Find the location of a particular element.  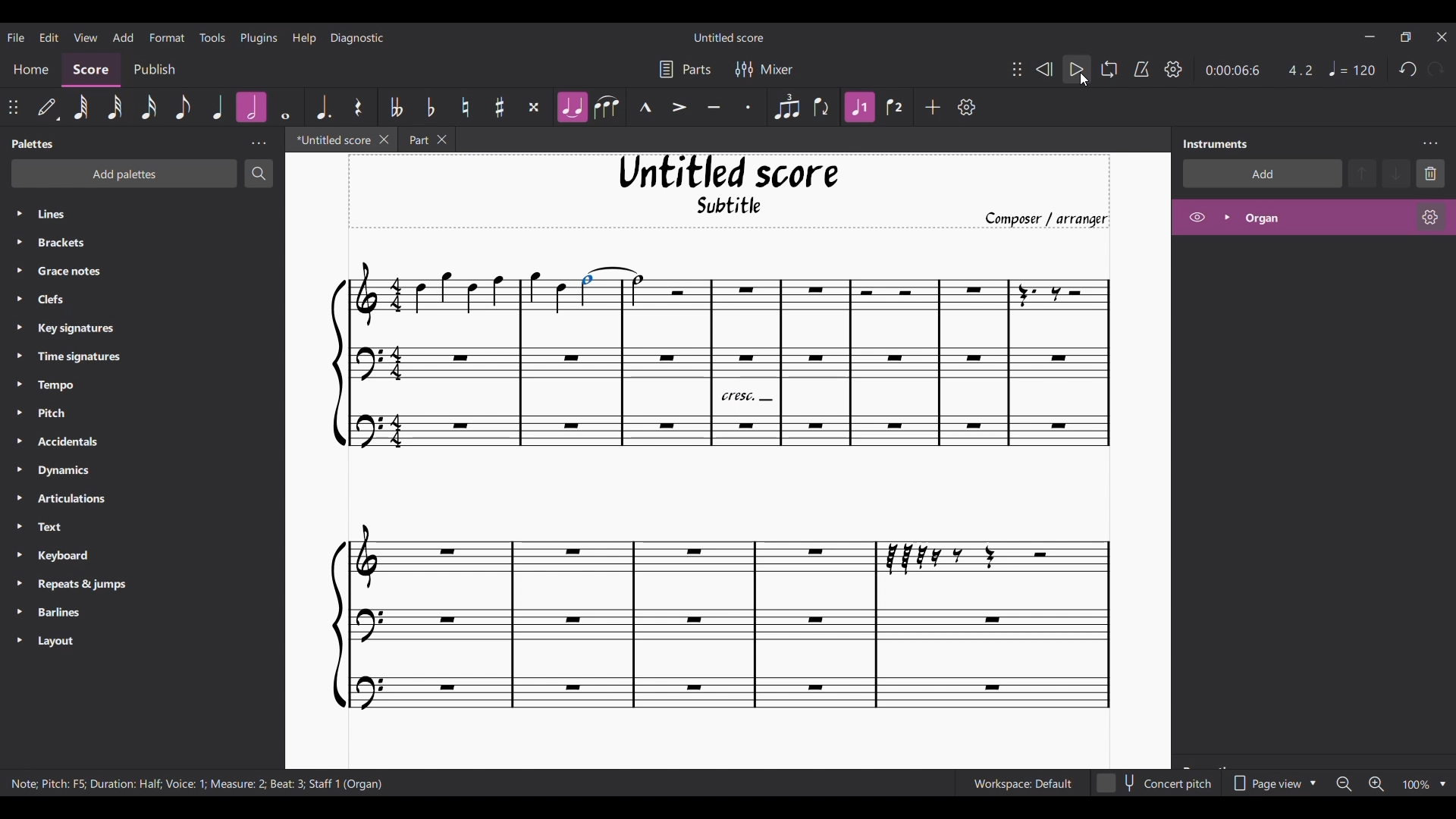

Toggle double sharp is located at coordinates (534, 108).